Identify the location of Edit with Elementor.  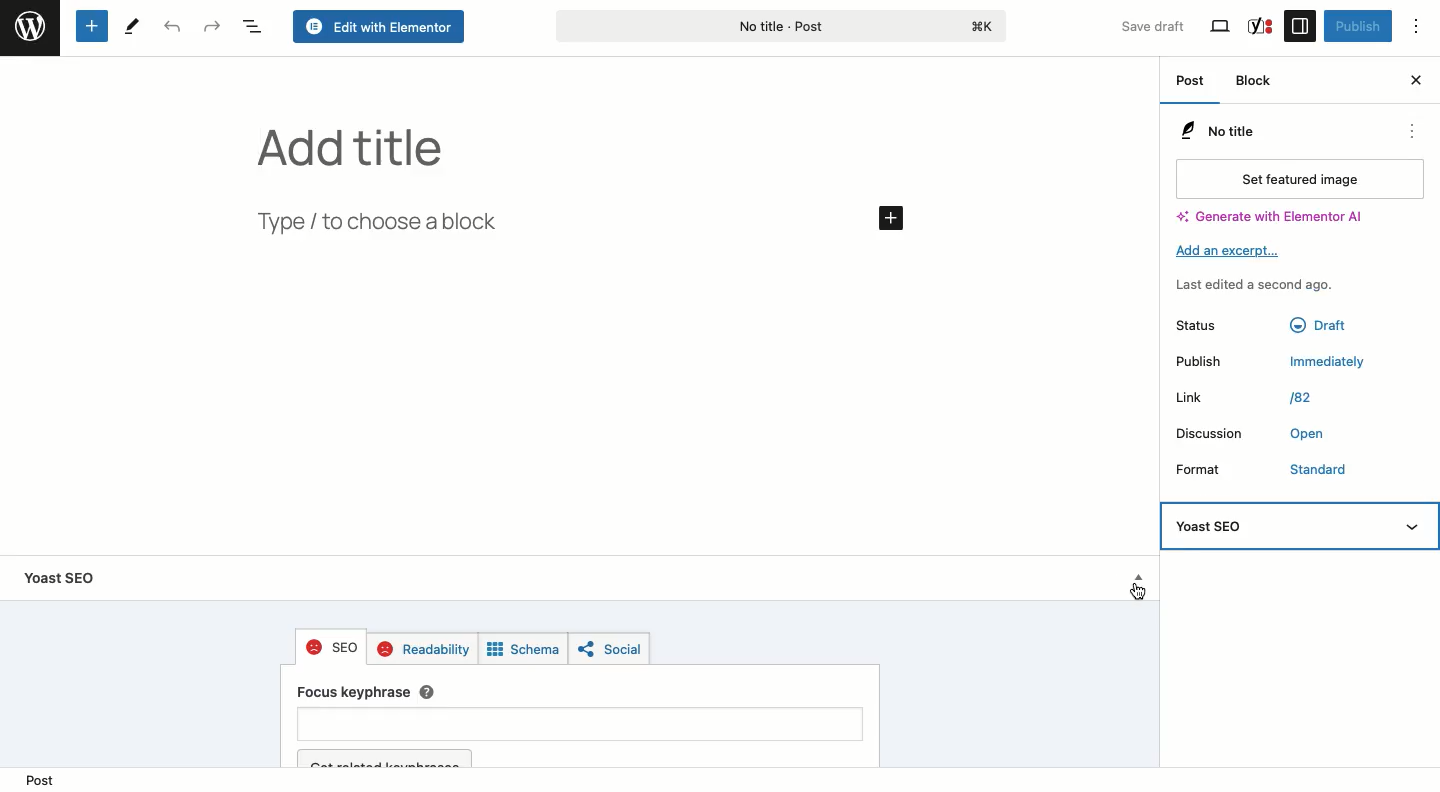
(380, 28).